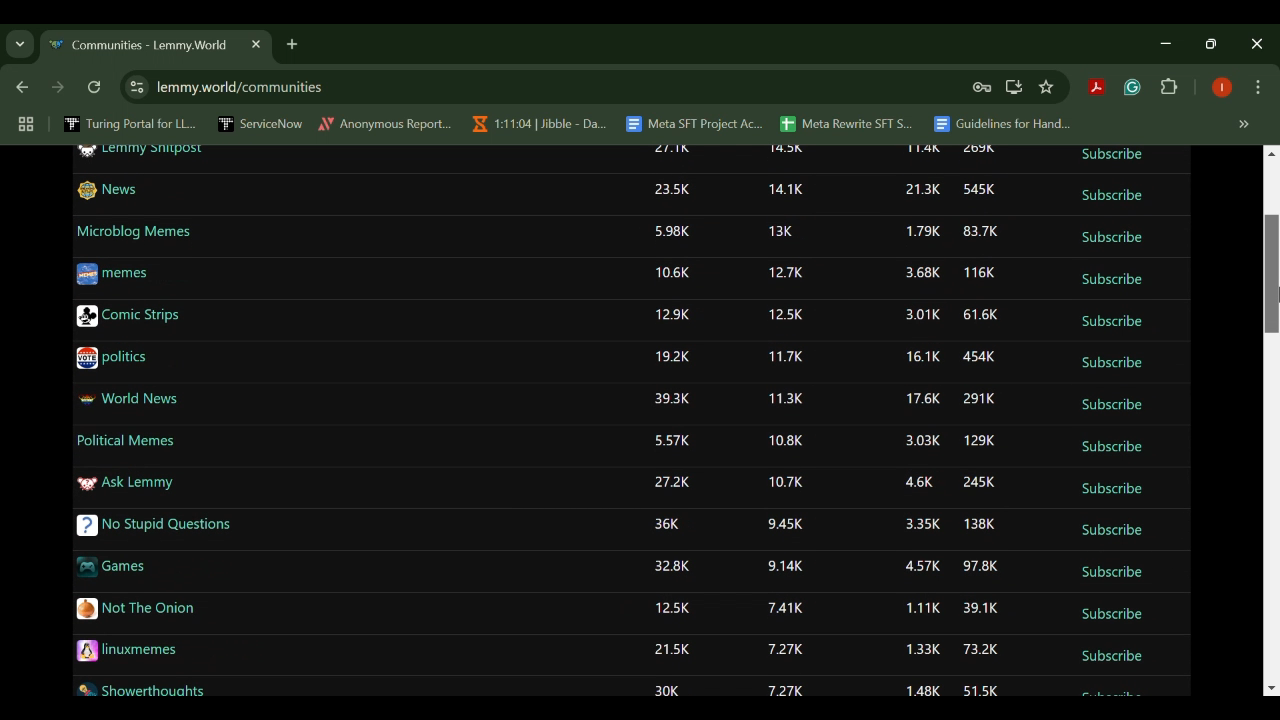 The width and height of the screenshot is (1280, 720). I want to click on 97.8K, so click(982, 566).